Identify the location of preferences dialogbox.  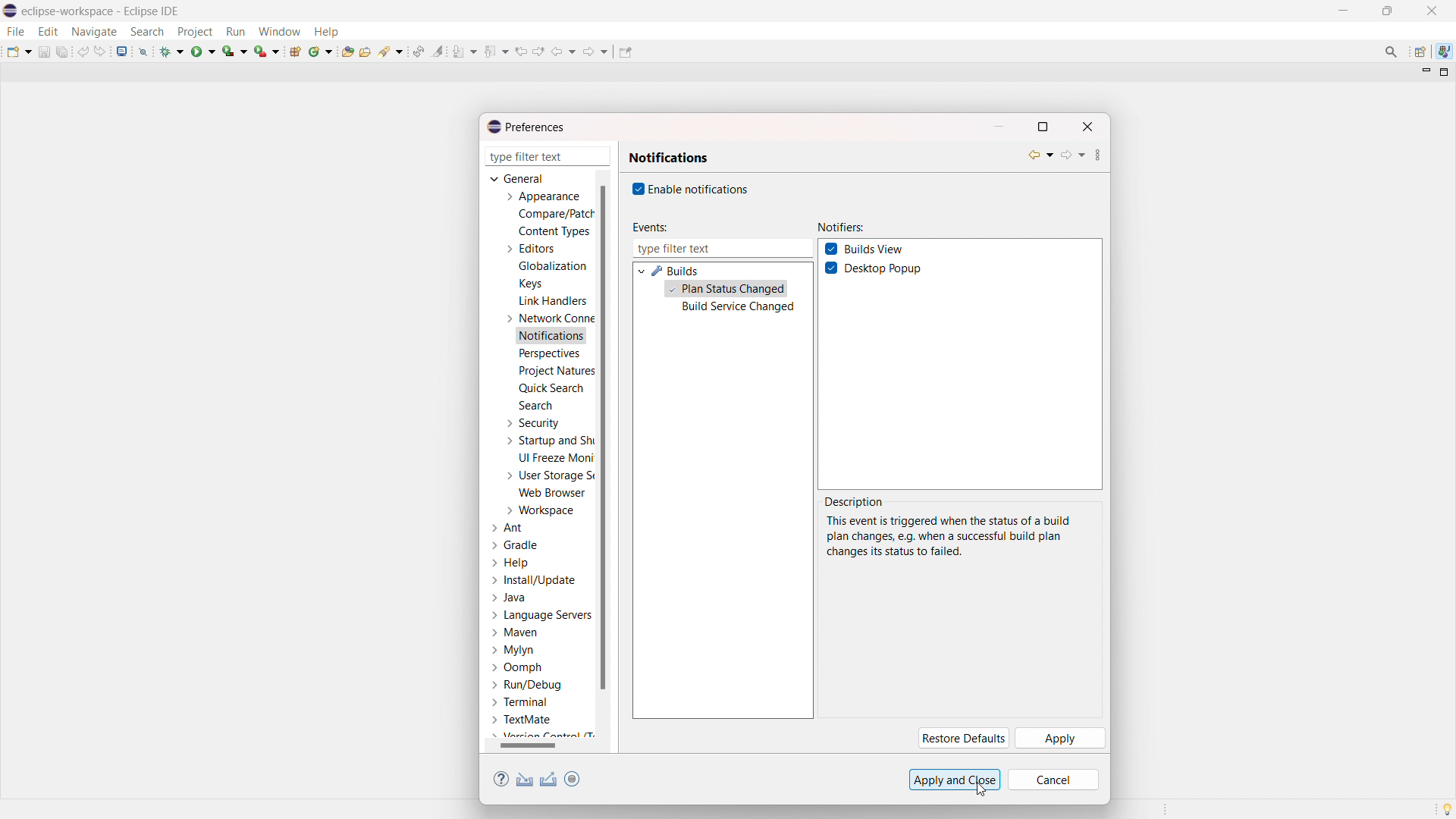
(525, 127).